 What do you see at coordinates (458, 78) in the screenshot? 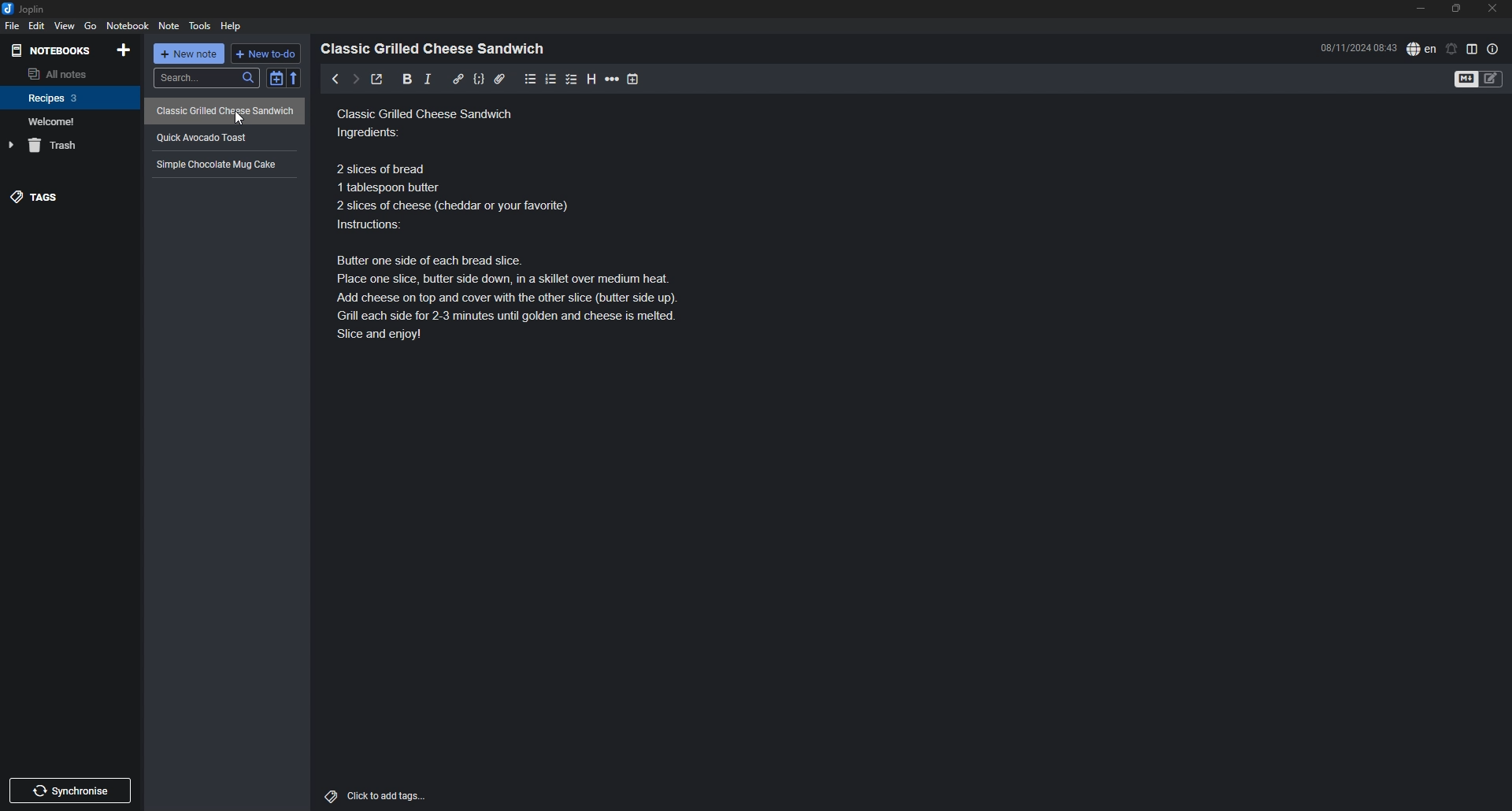
I see `hyperlink` at bounding box center [458, 78].